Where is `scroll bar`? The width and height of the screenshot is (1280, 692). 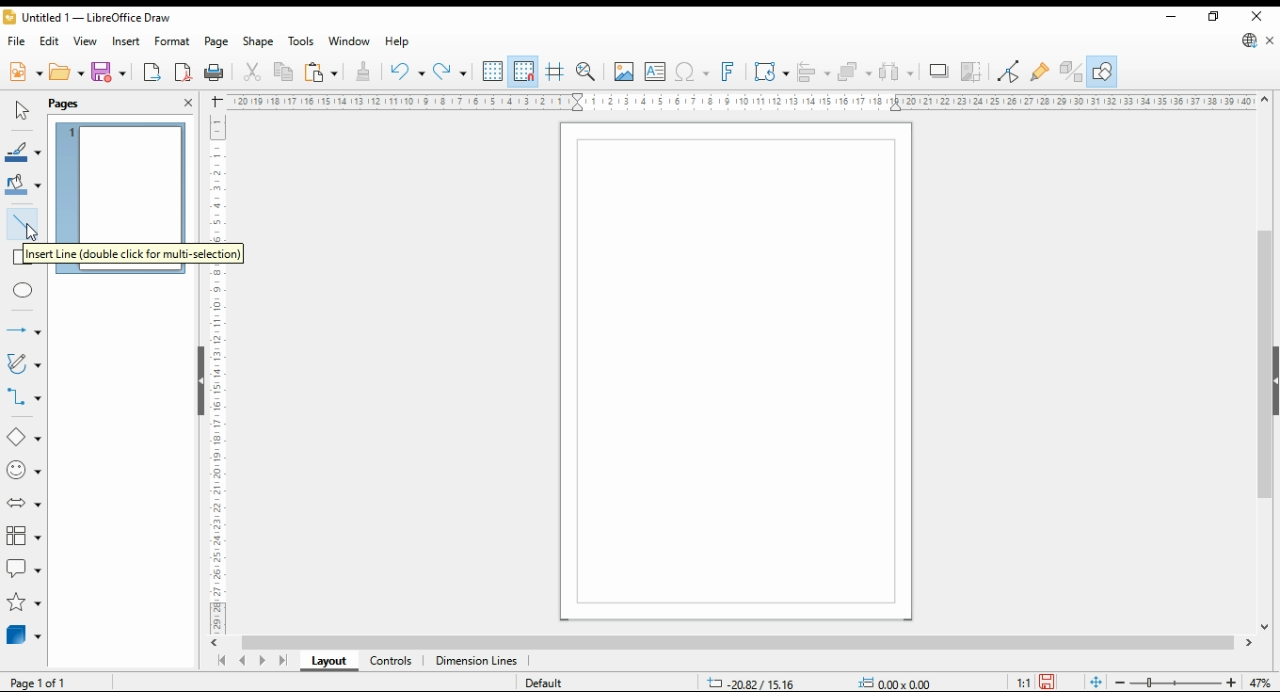 scroll bar is located at coordinates (198, 381).